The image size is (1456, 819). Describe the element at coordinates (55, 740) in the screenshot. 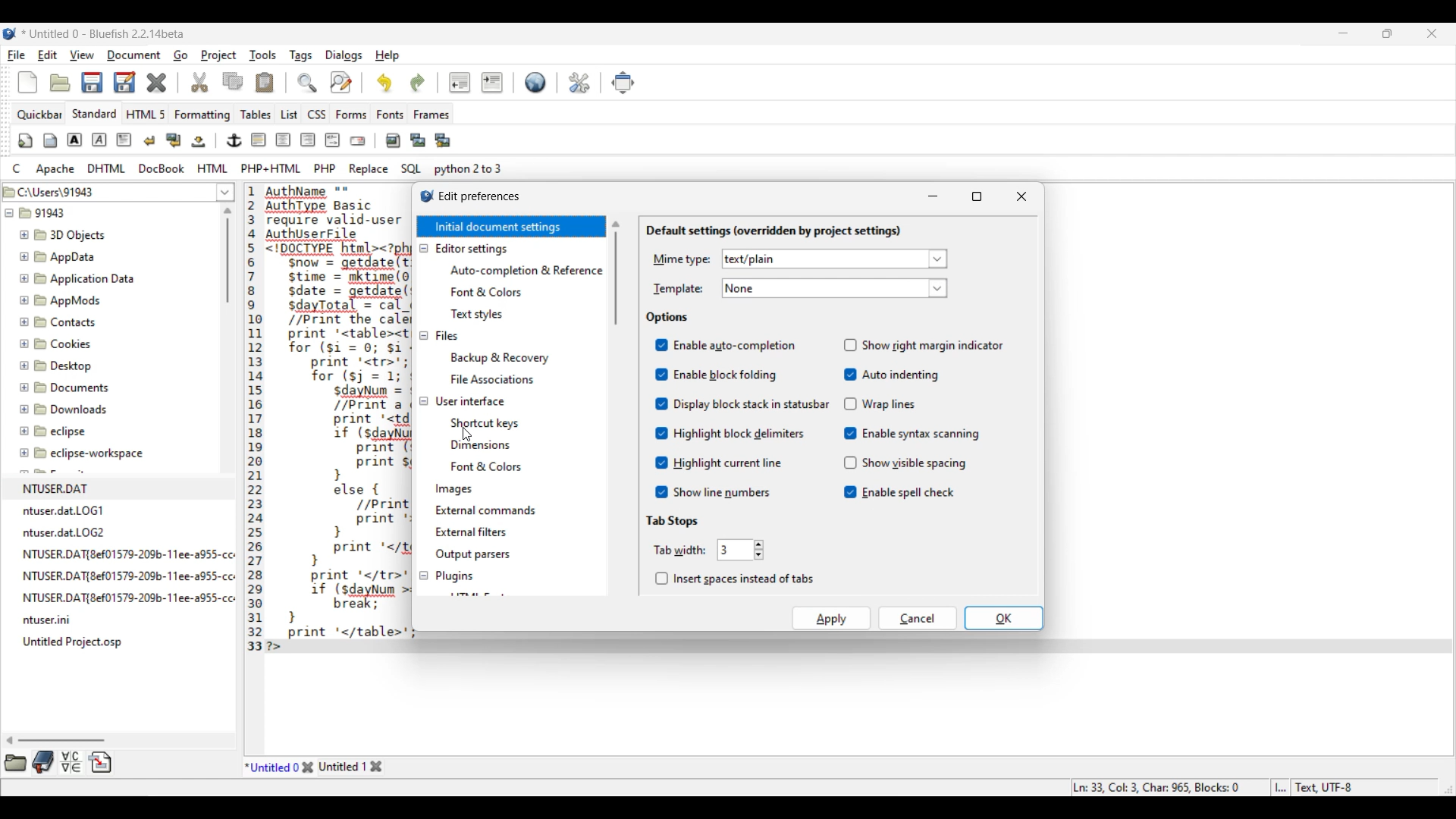

I see `Horizontal slide bar` at that location.